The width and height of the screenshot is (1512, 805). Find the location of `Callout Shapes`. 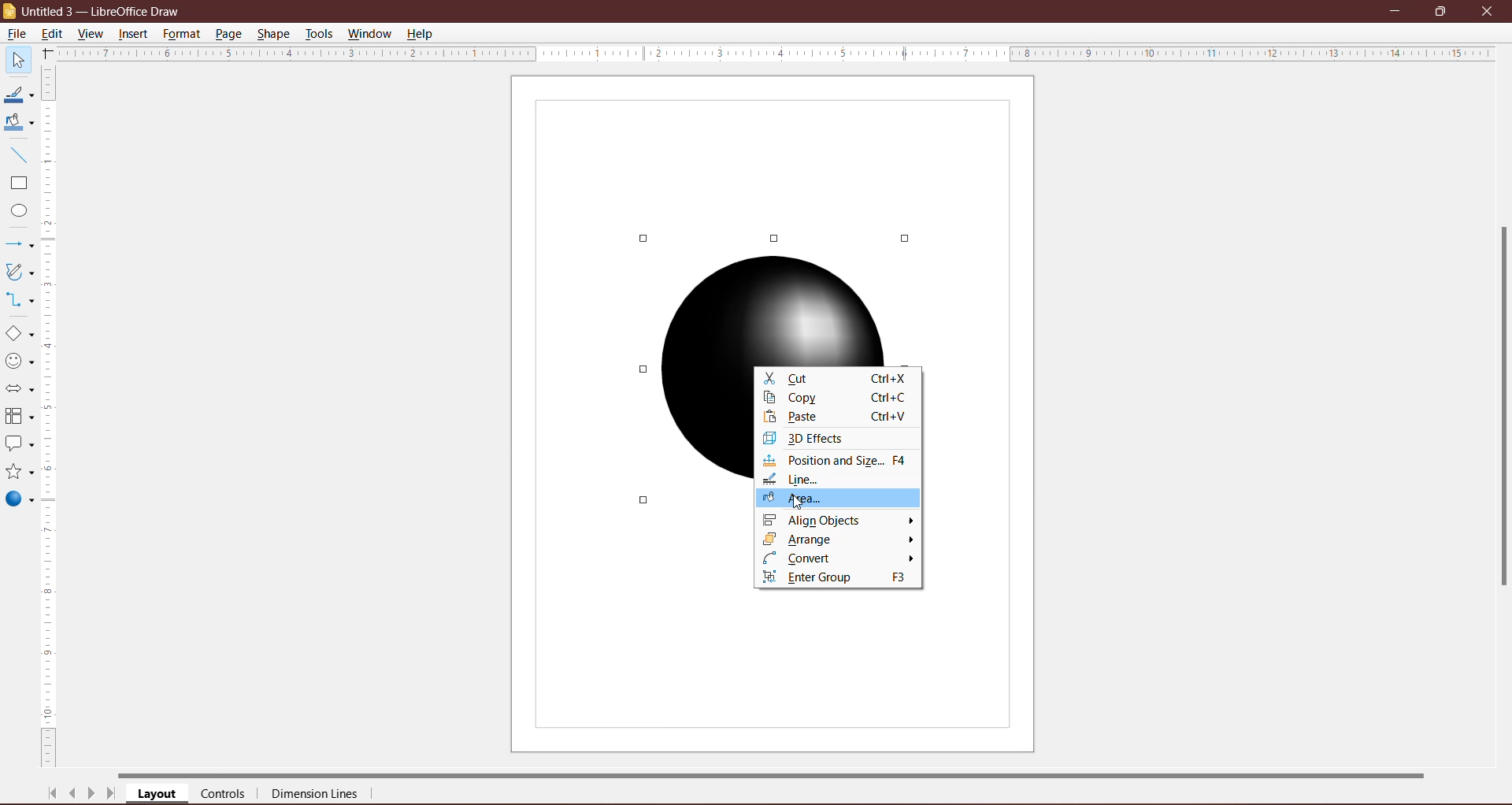

Callout Shapes is located at coordinates (18, 445).